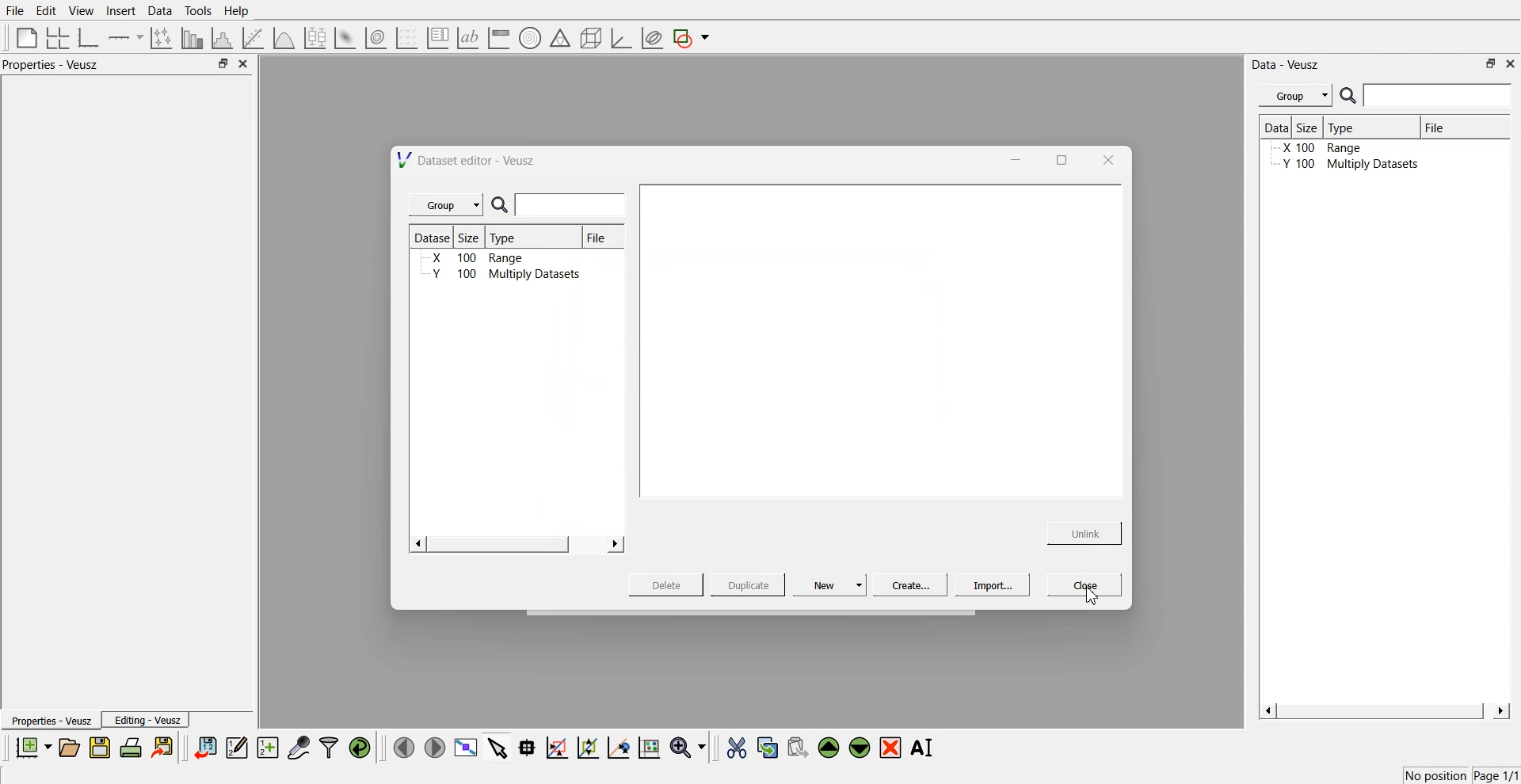  I want to click on No position, so click(1438, 774).